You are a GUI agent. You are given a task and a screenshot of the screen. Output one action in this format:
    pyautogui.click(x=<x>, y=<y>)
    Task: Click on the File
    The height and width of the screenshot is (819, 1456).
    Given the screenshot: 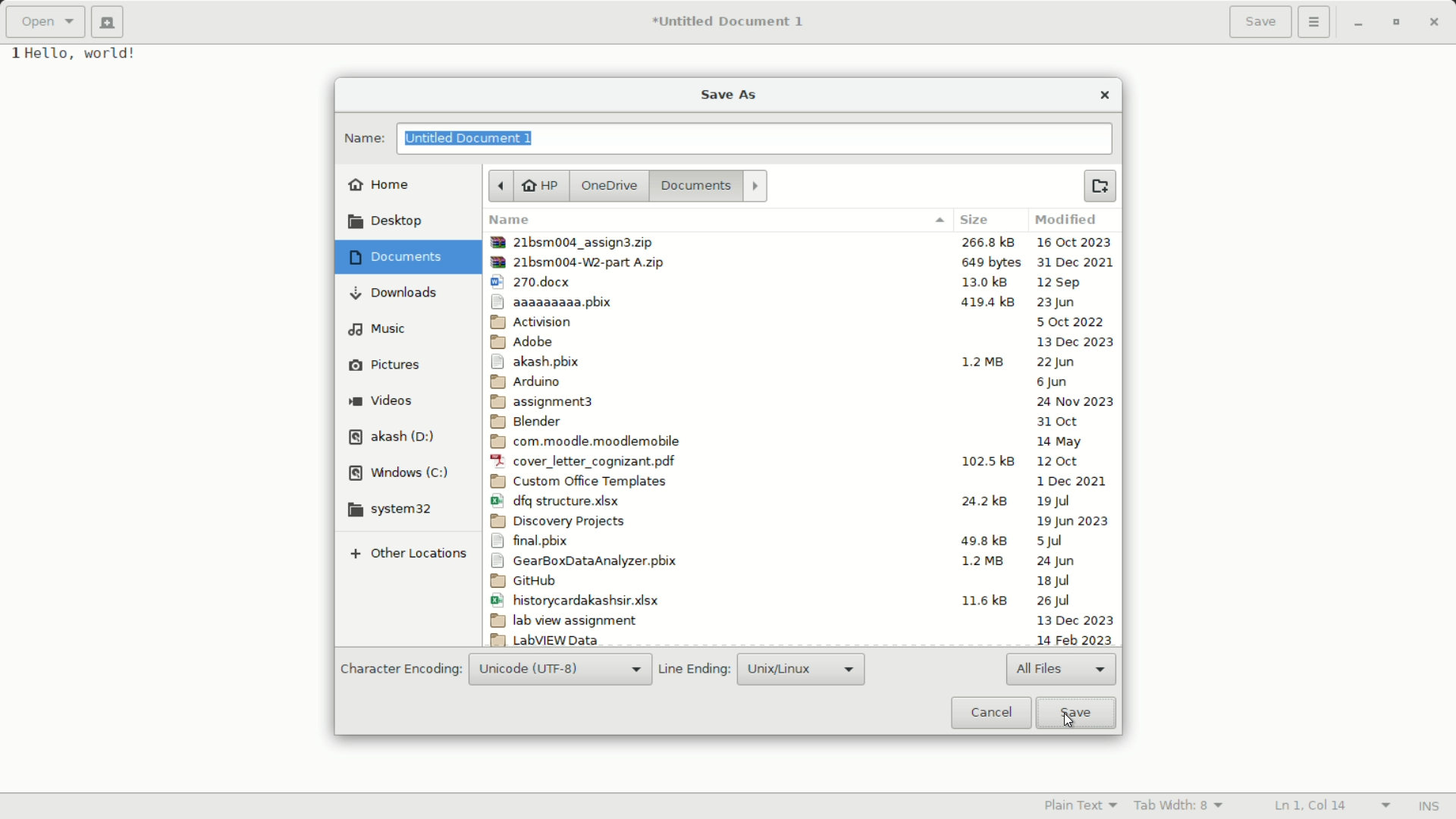 What is the action you would take?
    pyautogui.click(x=799, y=381)
    